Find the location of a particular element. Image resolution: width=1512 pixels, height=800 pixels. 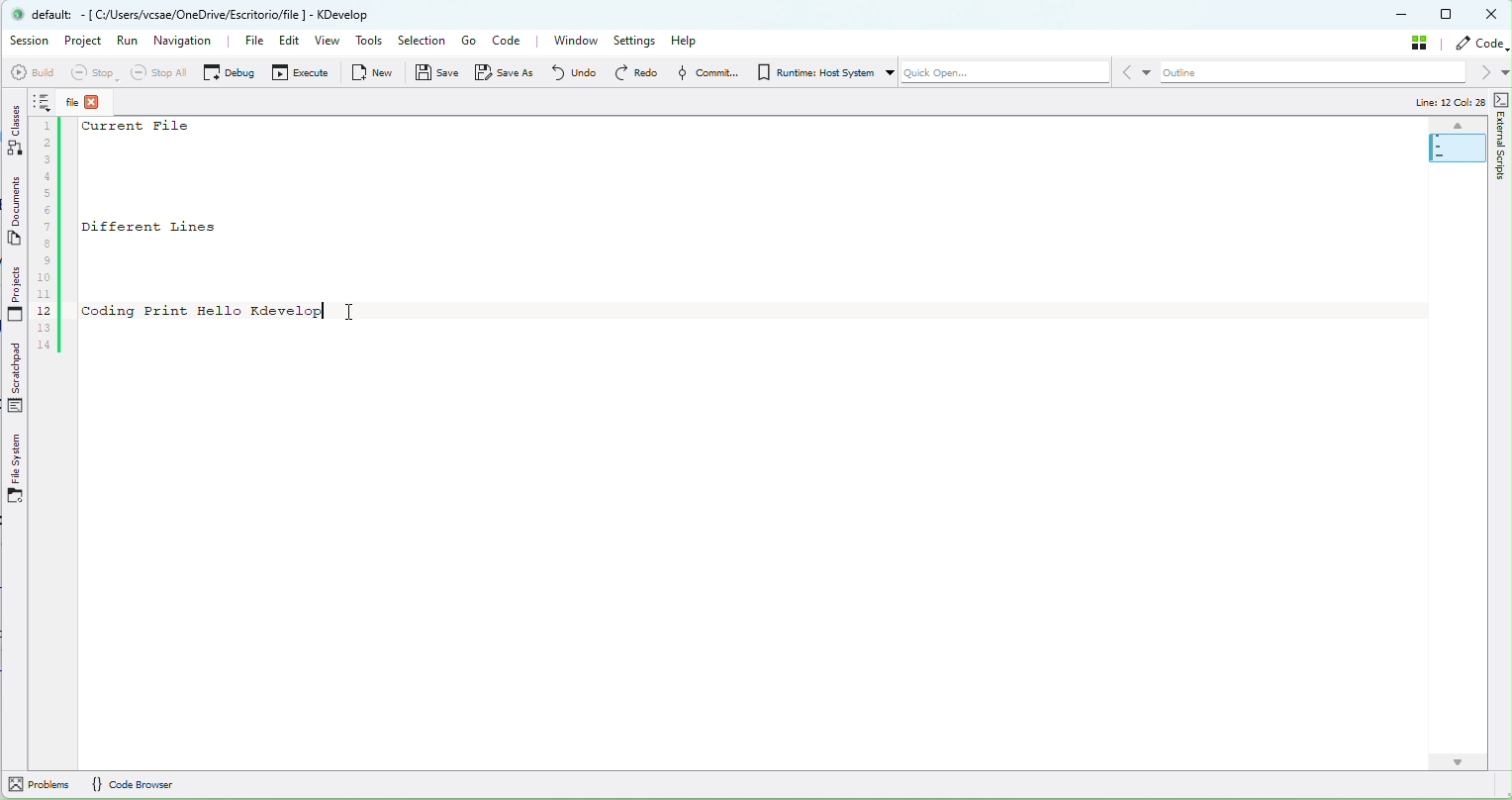

Go is located at coordinates (468, 41).